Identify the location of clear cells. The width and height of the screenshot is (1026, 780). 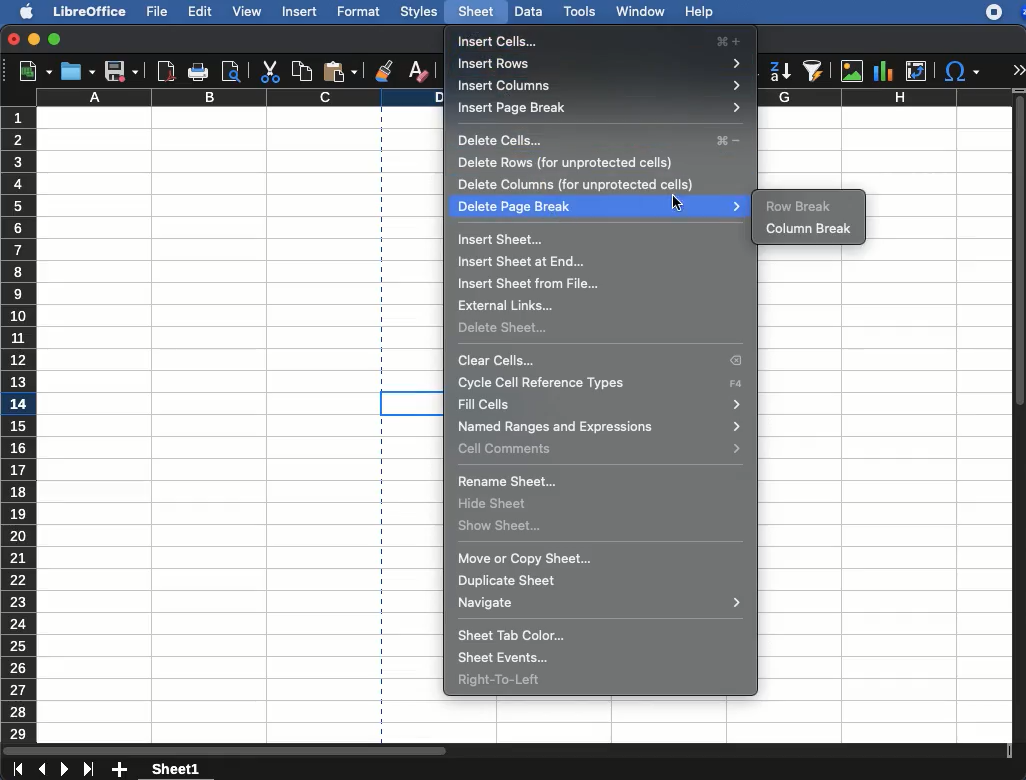
(600, 362).